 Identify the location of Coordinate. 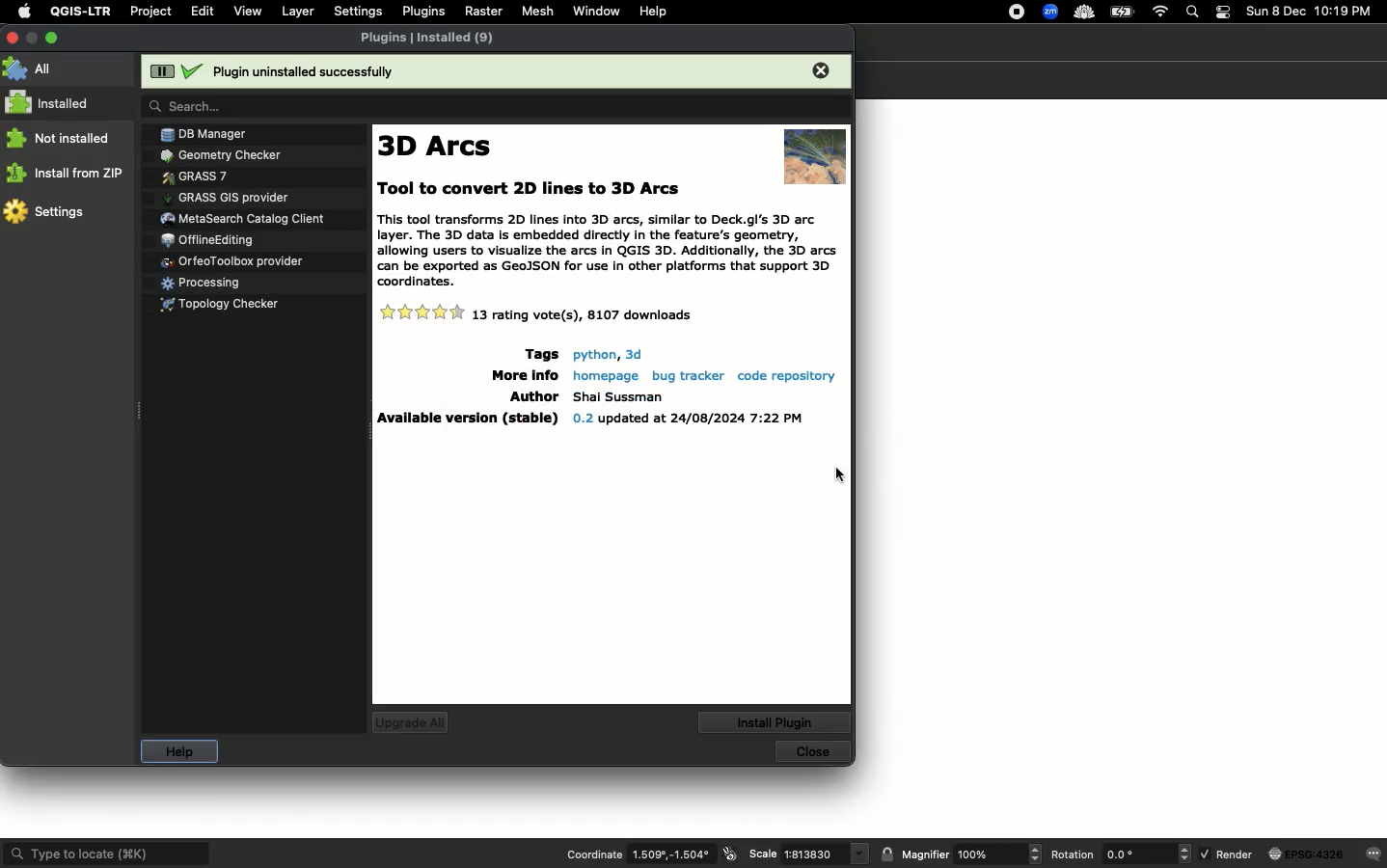
(650, 854).